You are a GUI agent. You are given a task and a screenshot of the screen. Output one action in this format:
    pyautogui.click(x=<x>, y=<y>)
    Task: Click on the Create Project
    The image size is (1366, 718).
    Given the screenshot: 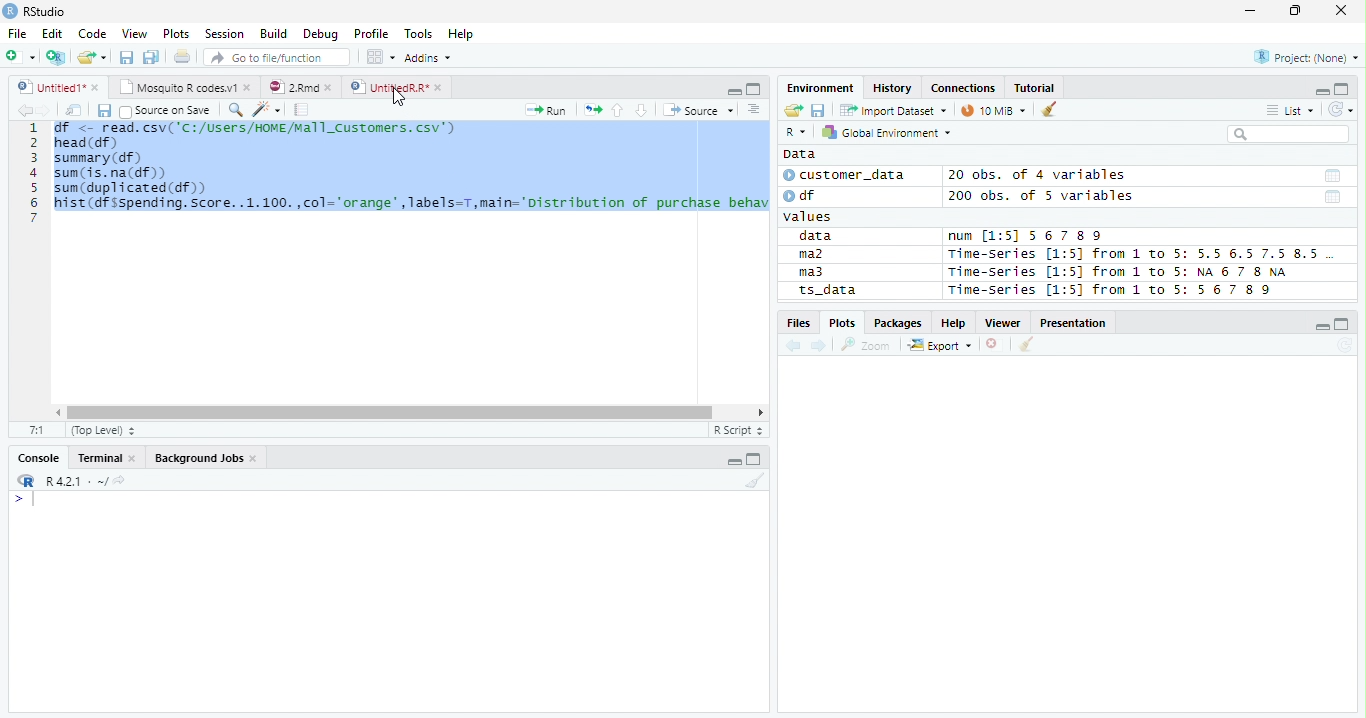 What is the action you would take?
    pyautogui.click(x=57, y=57)
    